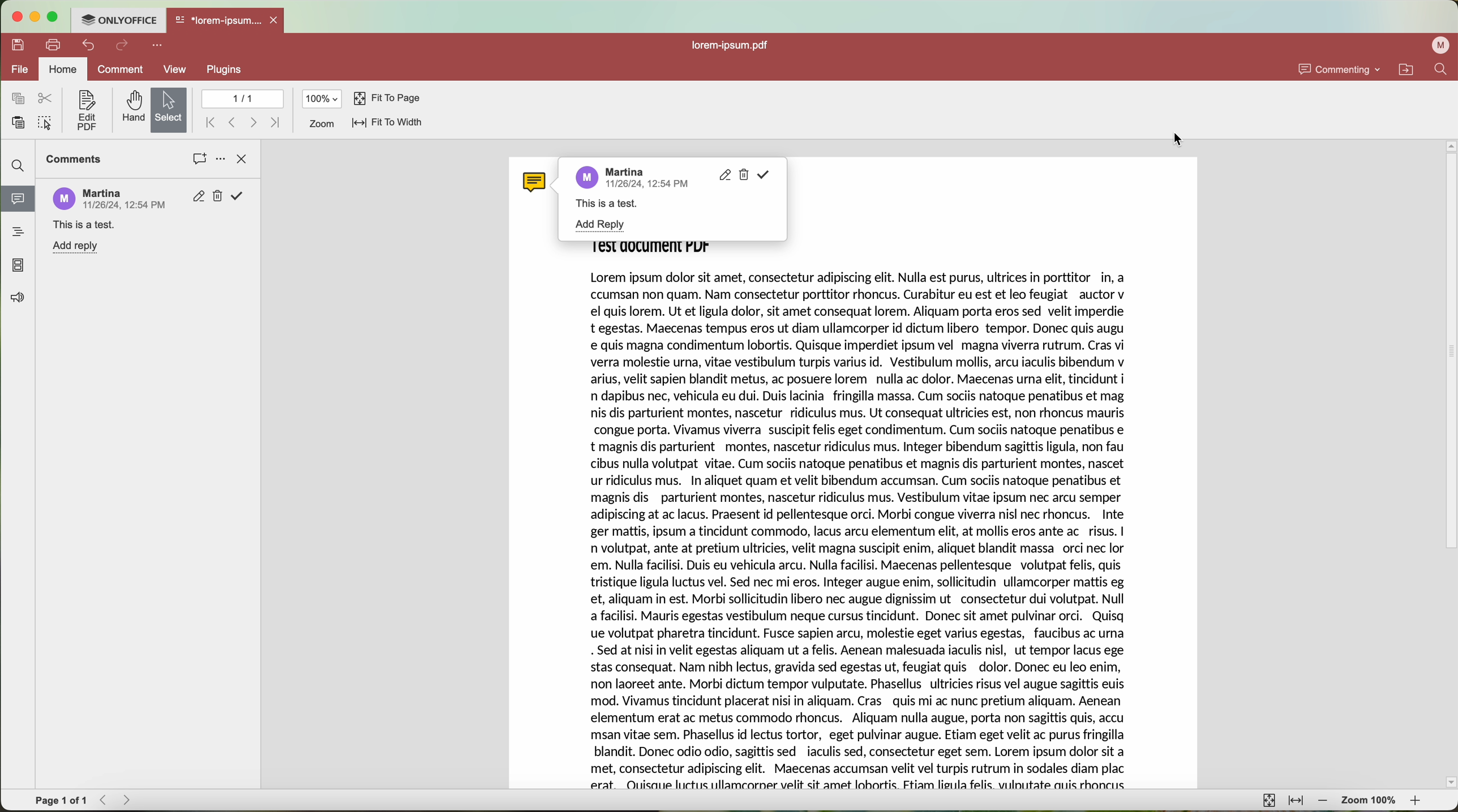 Image resolution: width=1458 pixels, height=812 pixels. Describe the element at coordinates (734, 46) in the screenshot. I see `file name` at that location.